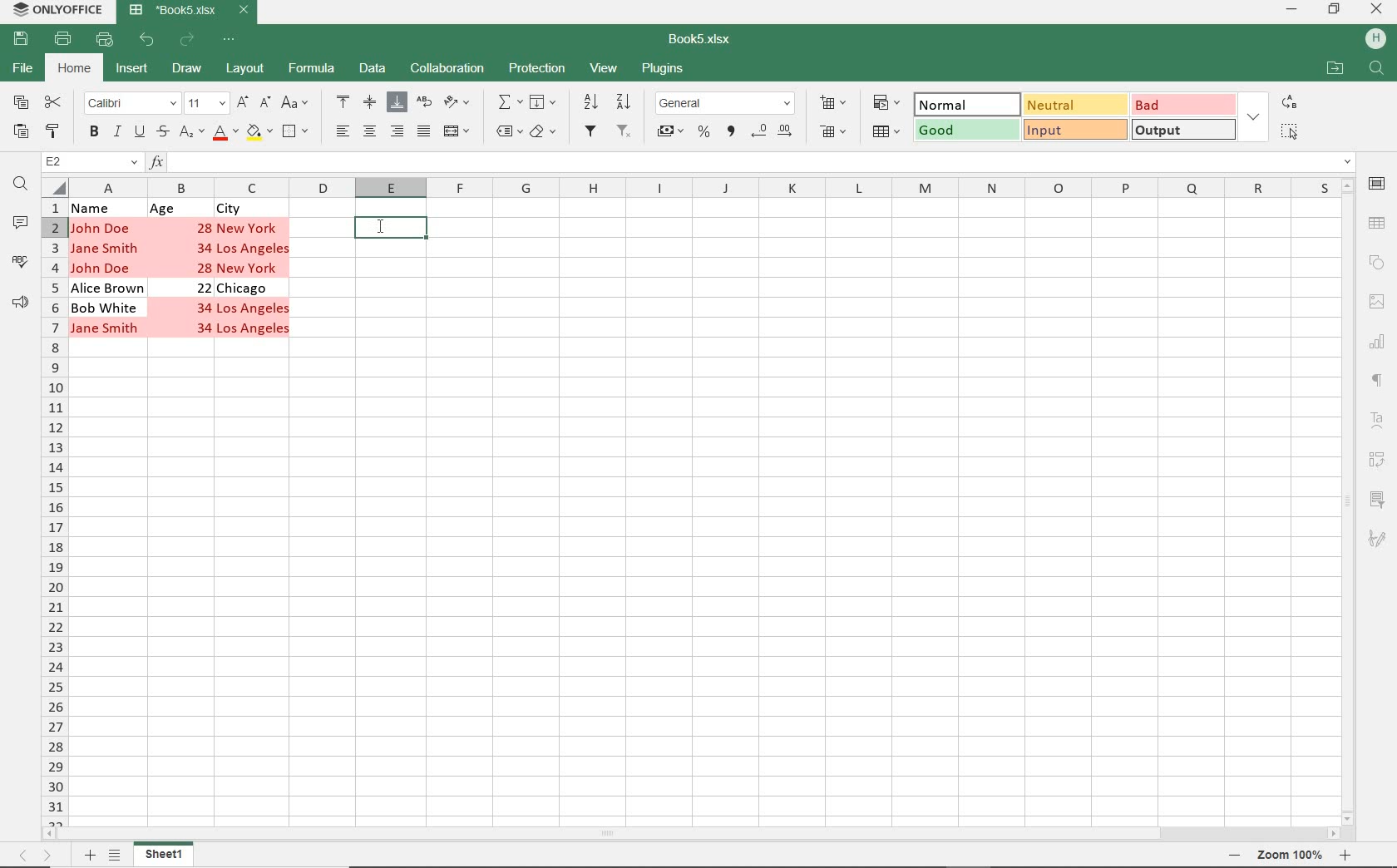 The image size is (1397, 868). Describe the element at coordinates (201, 309) in the screenshot. I see `34` at that location.